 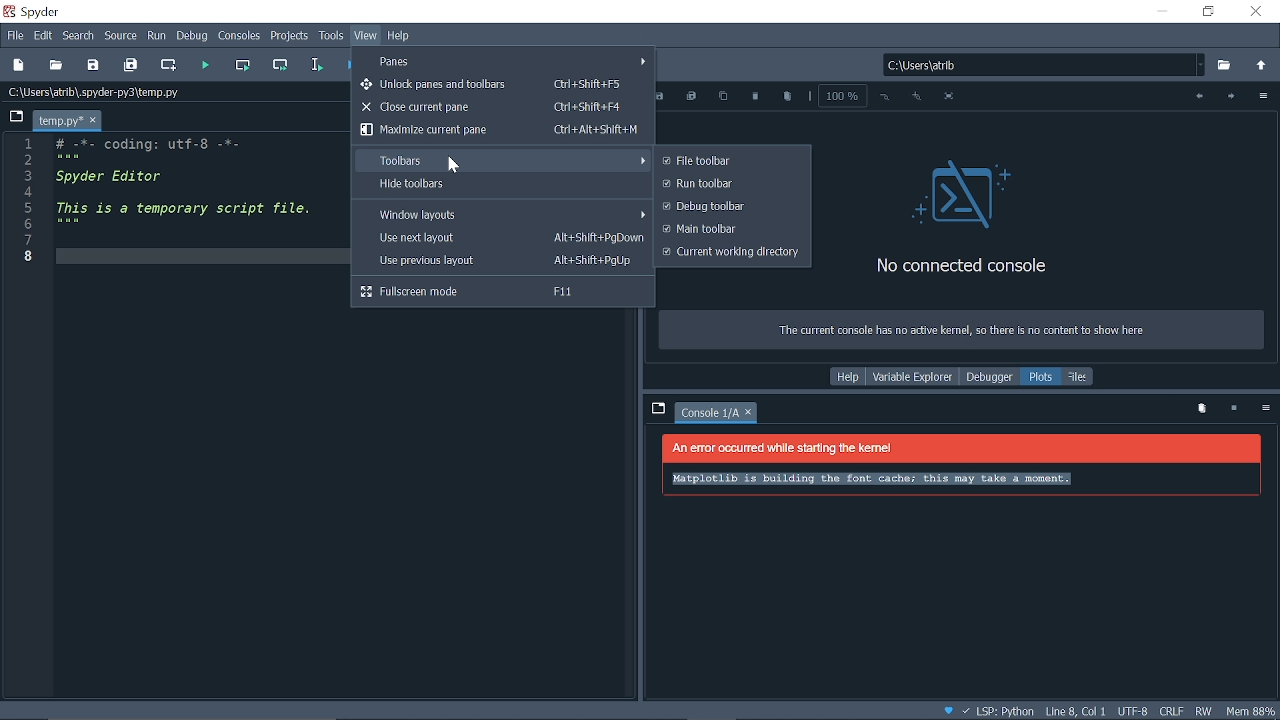 What do you see at coordinates (1161, 12) in the screenshot?
I see `Minimize` at bounding box center [1161, 12].